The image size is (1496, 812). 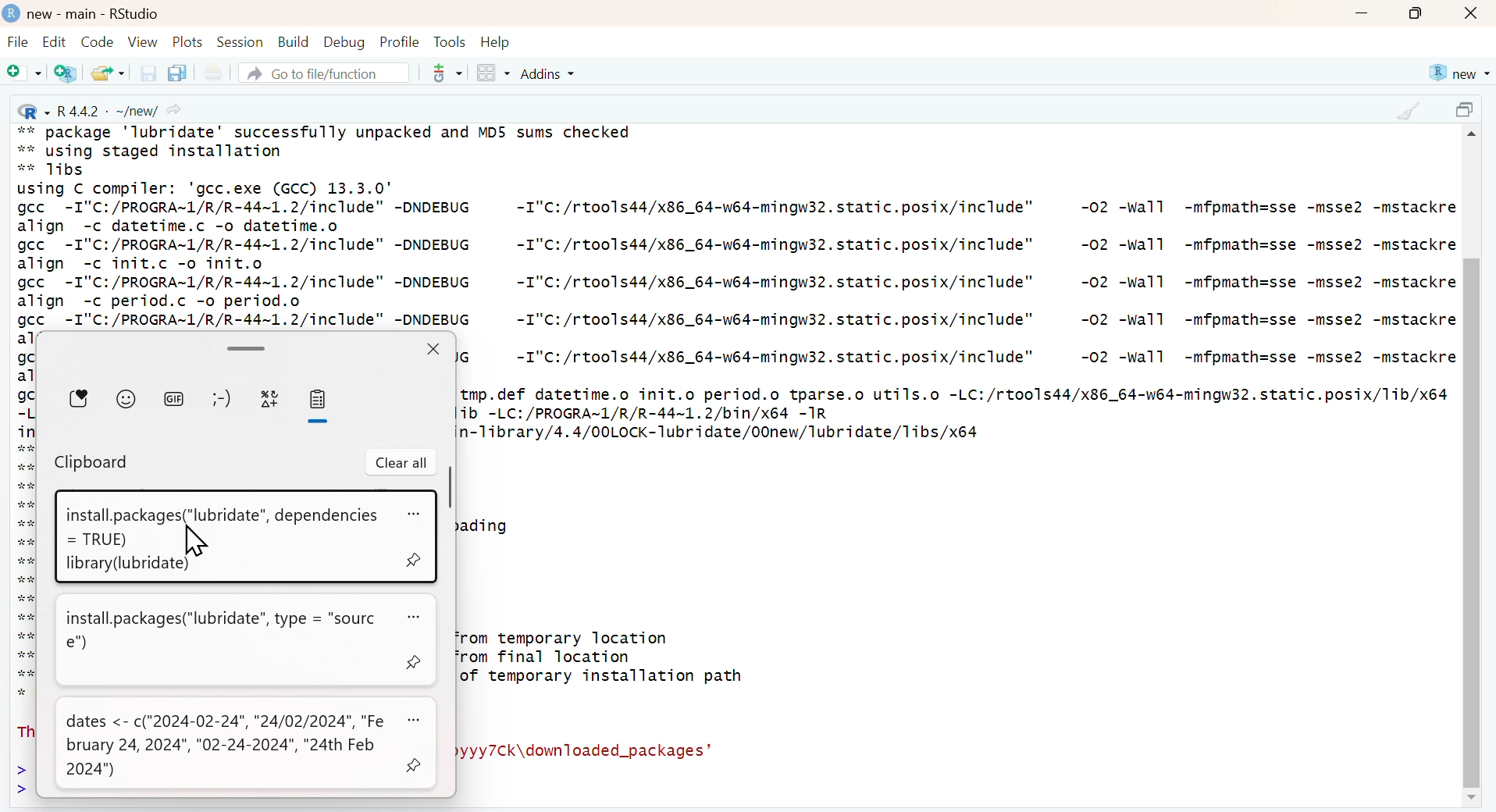 I want to click on scroll bar, so click(x=448, y=488).